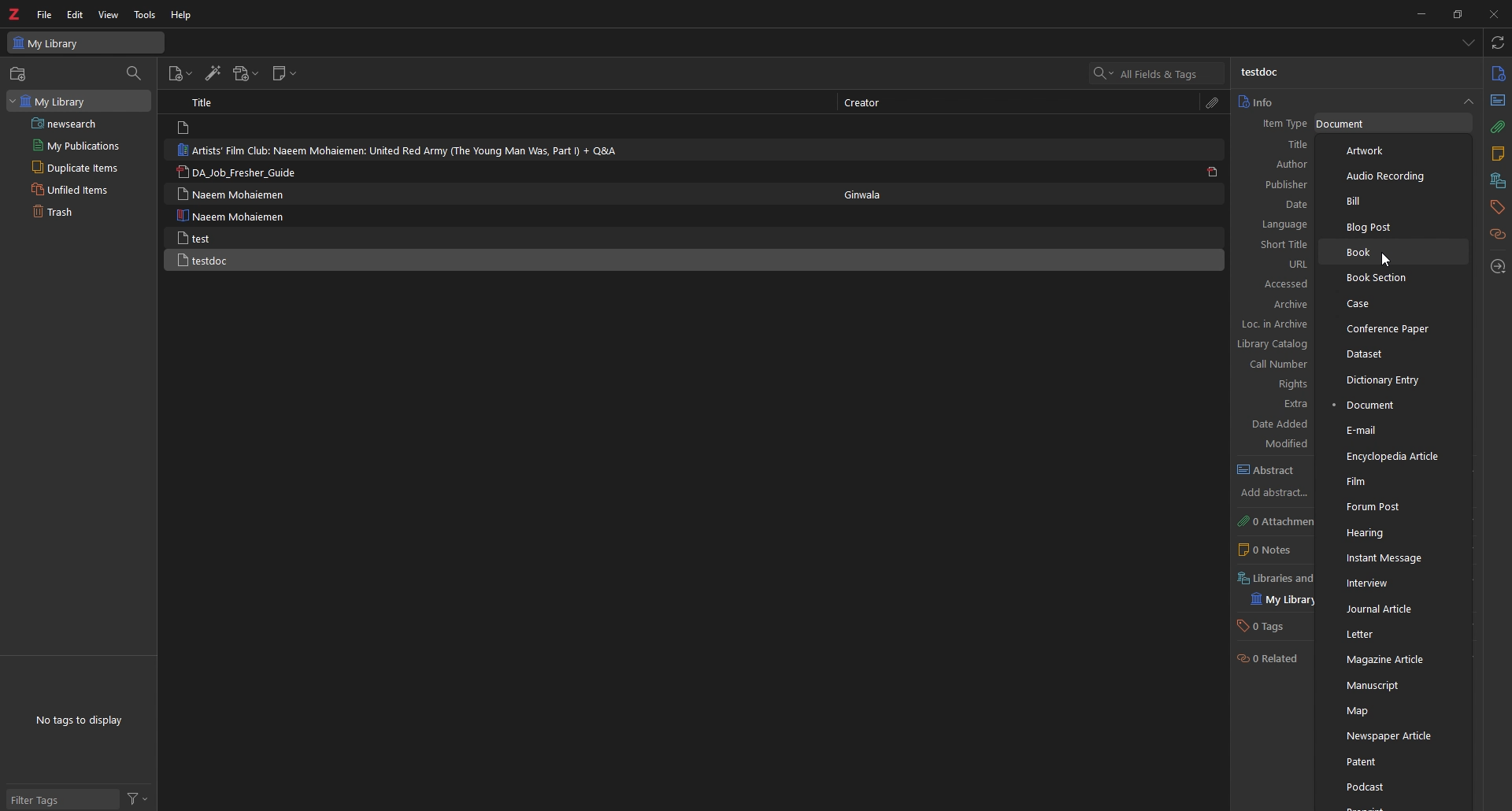 This screenshot has width=1512, height=811. I want to click on book section, so click(1394, 278).